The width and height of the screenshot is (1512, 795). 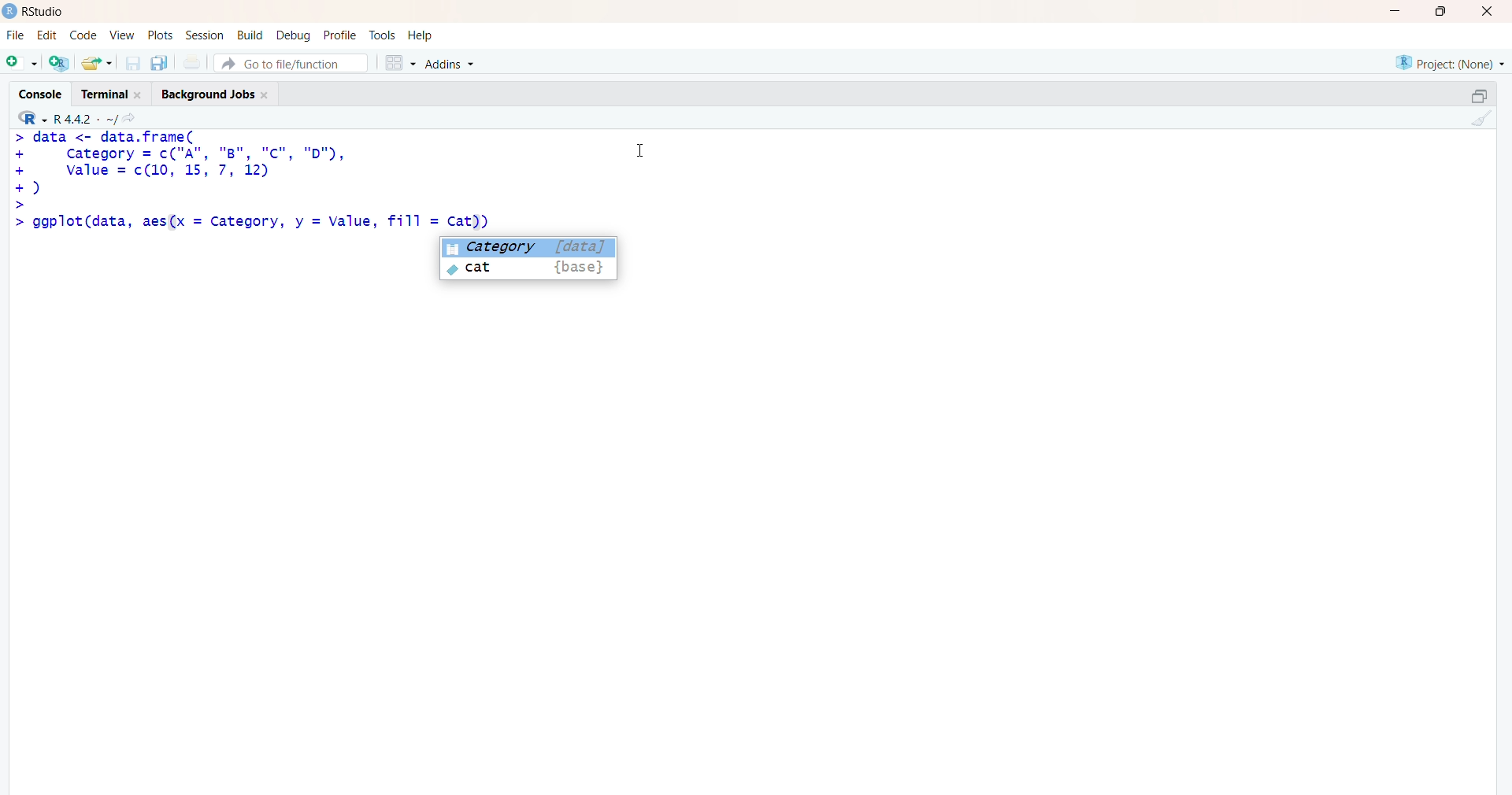 What do you see at coordinates (256, 181) in the screenshot?
I see `code - > data <- data.frame(Category = c("A", "8B", "c", "D"),value = c(10, 15, 7, 12)) ggplot(data)` at bounding box center [256, 181].